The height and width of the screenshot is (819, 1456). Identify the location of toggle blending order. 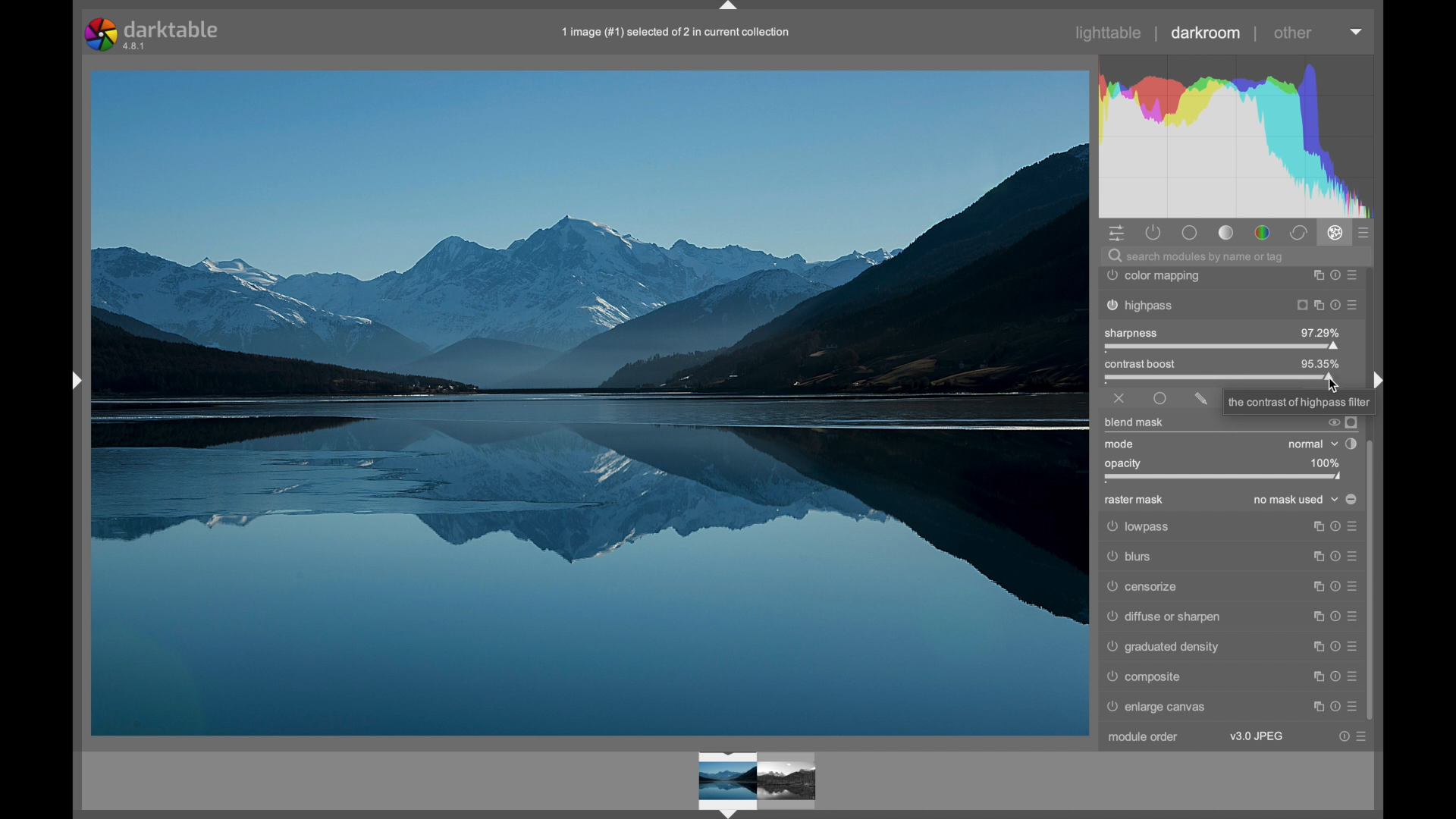
(1351, 444).